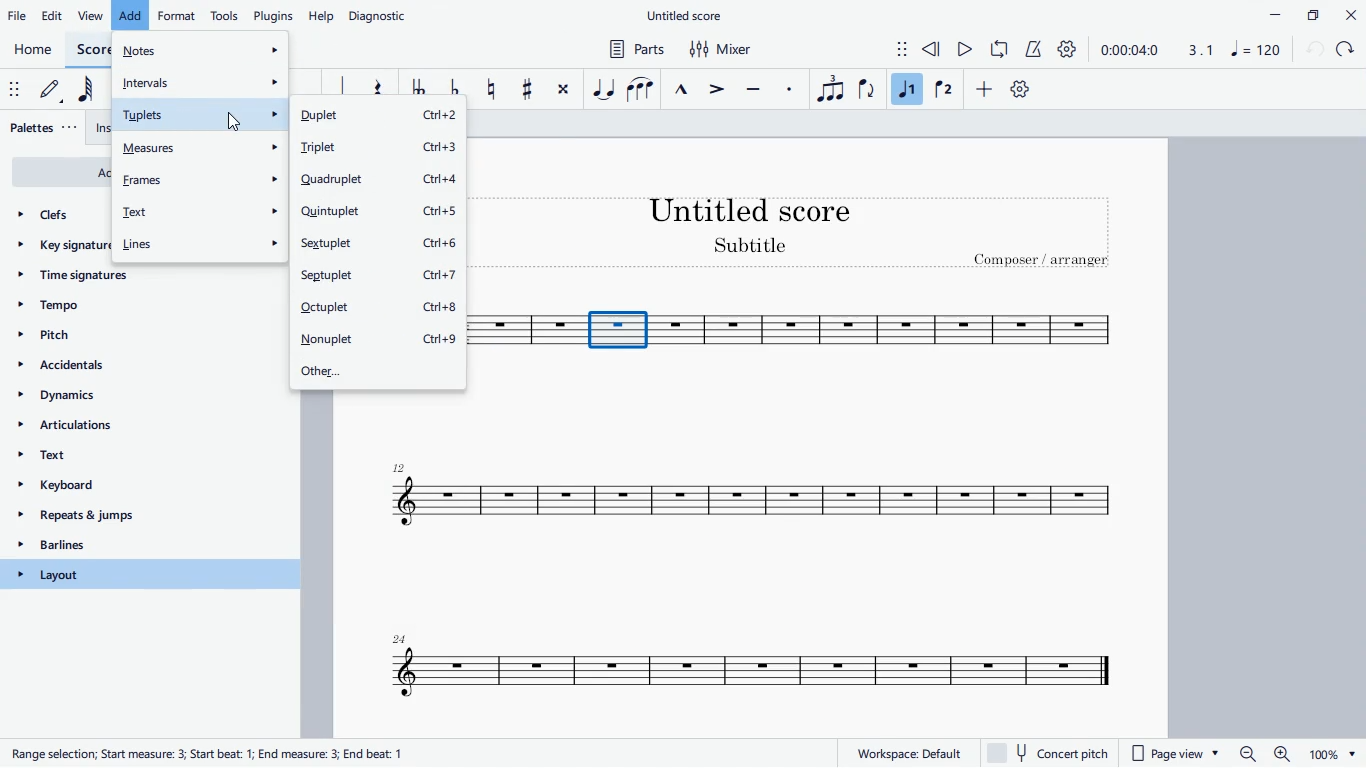  What do you see at coordinates (756, 498) in the screenshot?
I see `score` at bounding box center [756, 498].